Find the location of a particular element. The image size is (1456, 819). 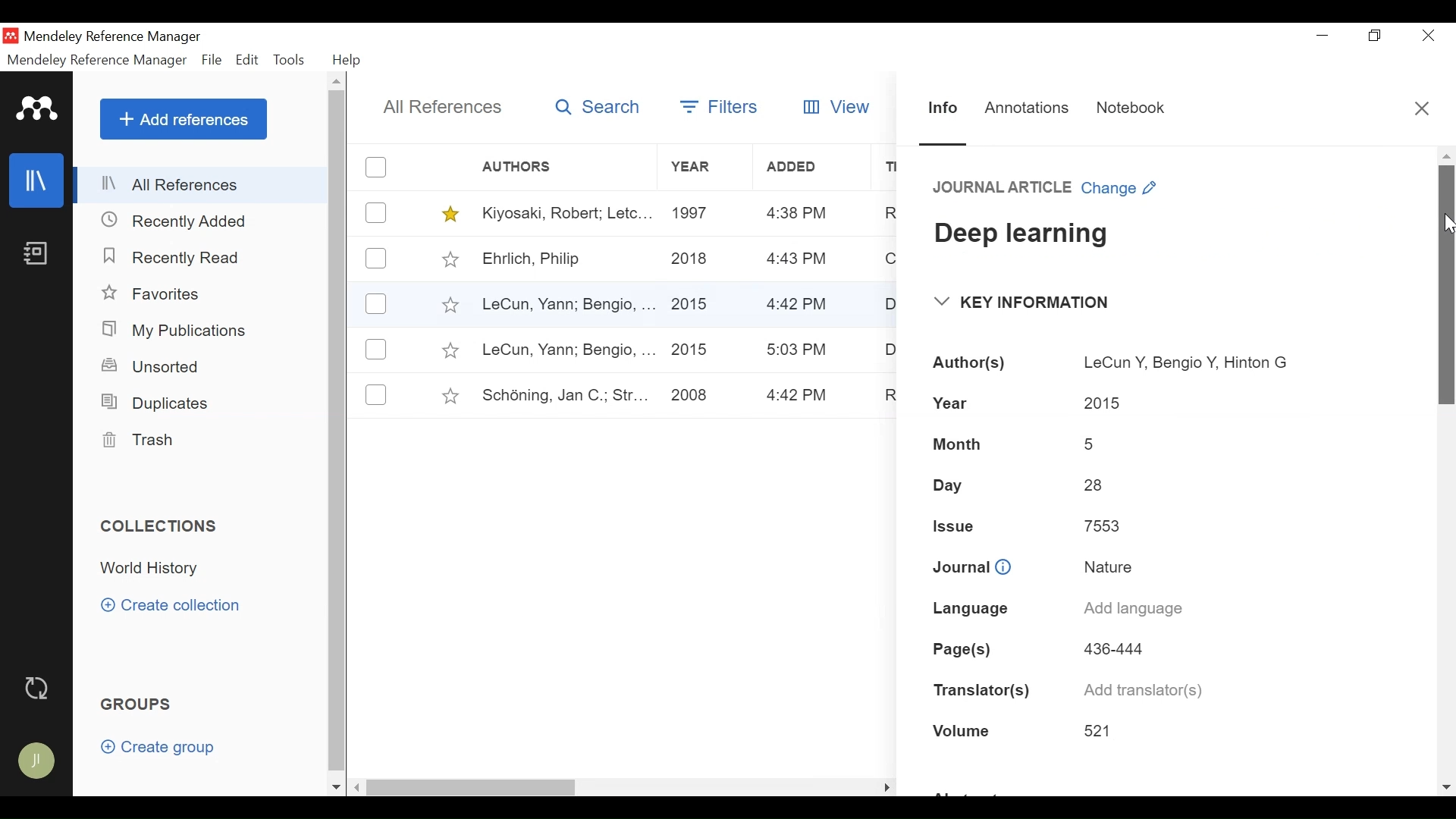

4:38 PM is located at coordinates (797, 214).